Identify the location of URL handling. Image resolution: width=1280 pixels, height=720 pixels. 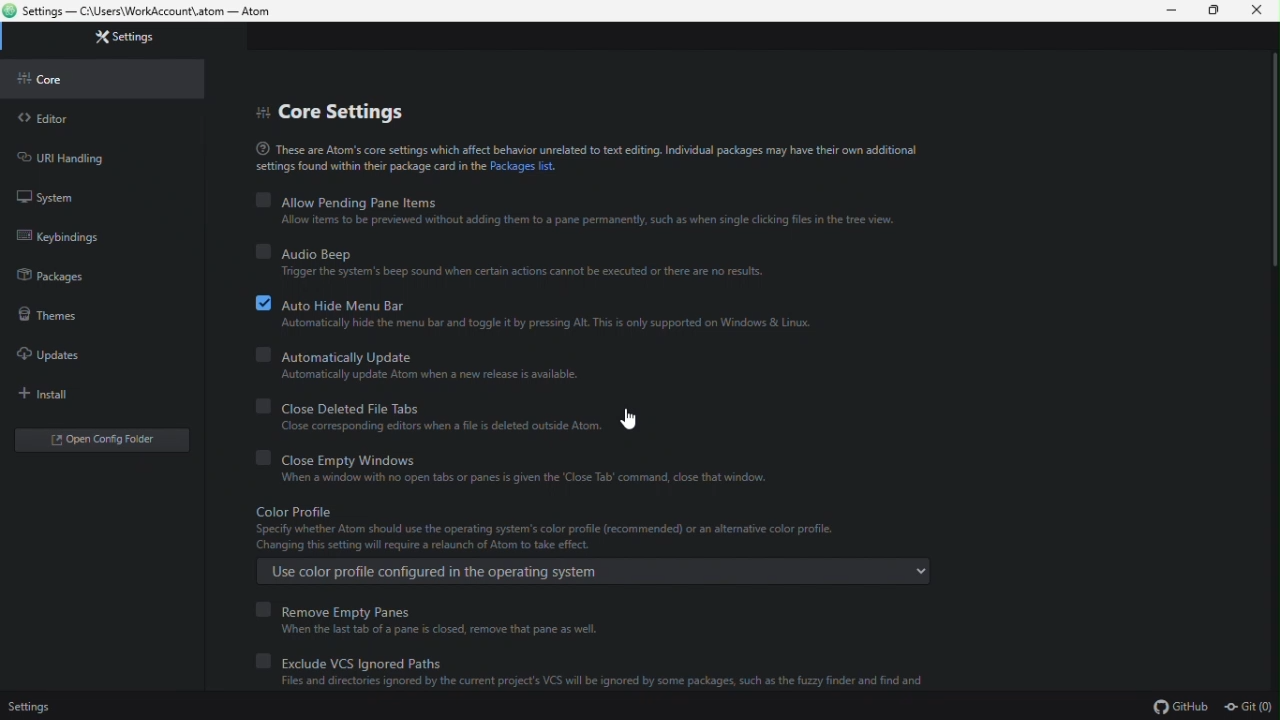
(93, 154).